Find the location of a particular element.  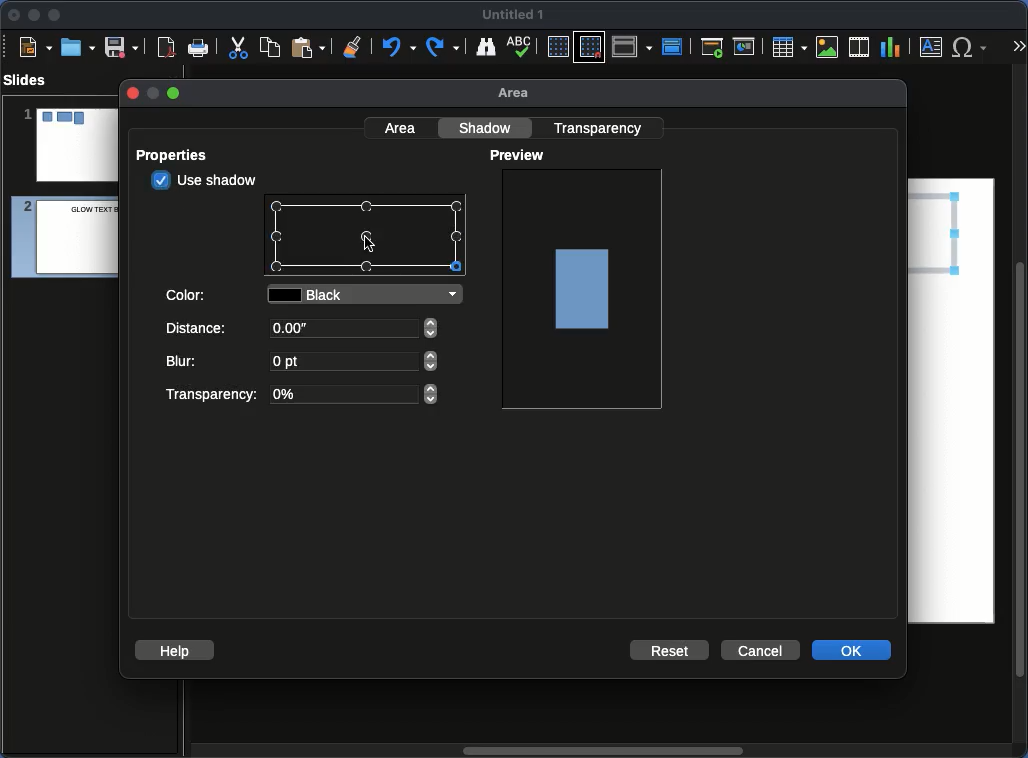

Area is located at coordinates (402, 127).